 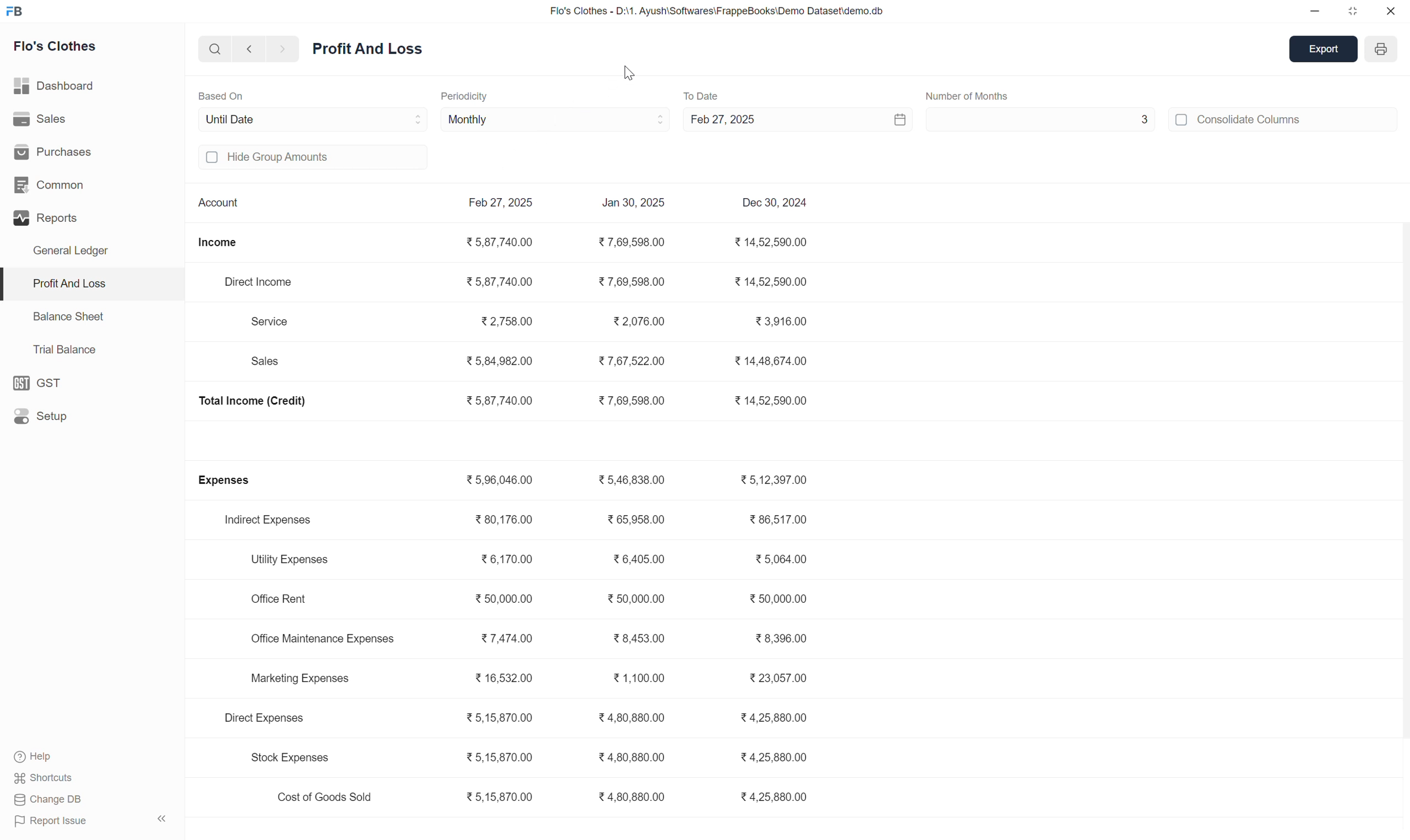 What do you see at coordinates (631, 761) in the screenshot?
I see `₹4,80,880.00` at bounding box center [631, 761].